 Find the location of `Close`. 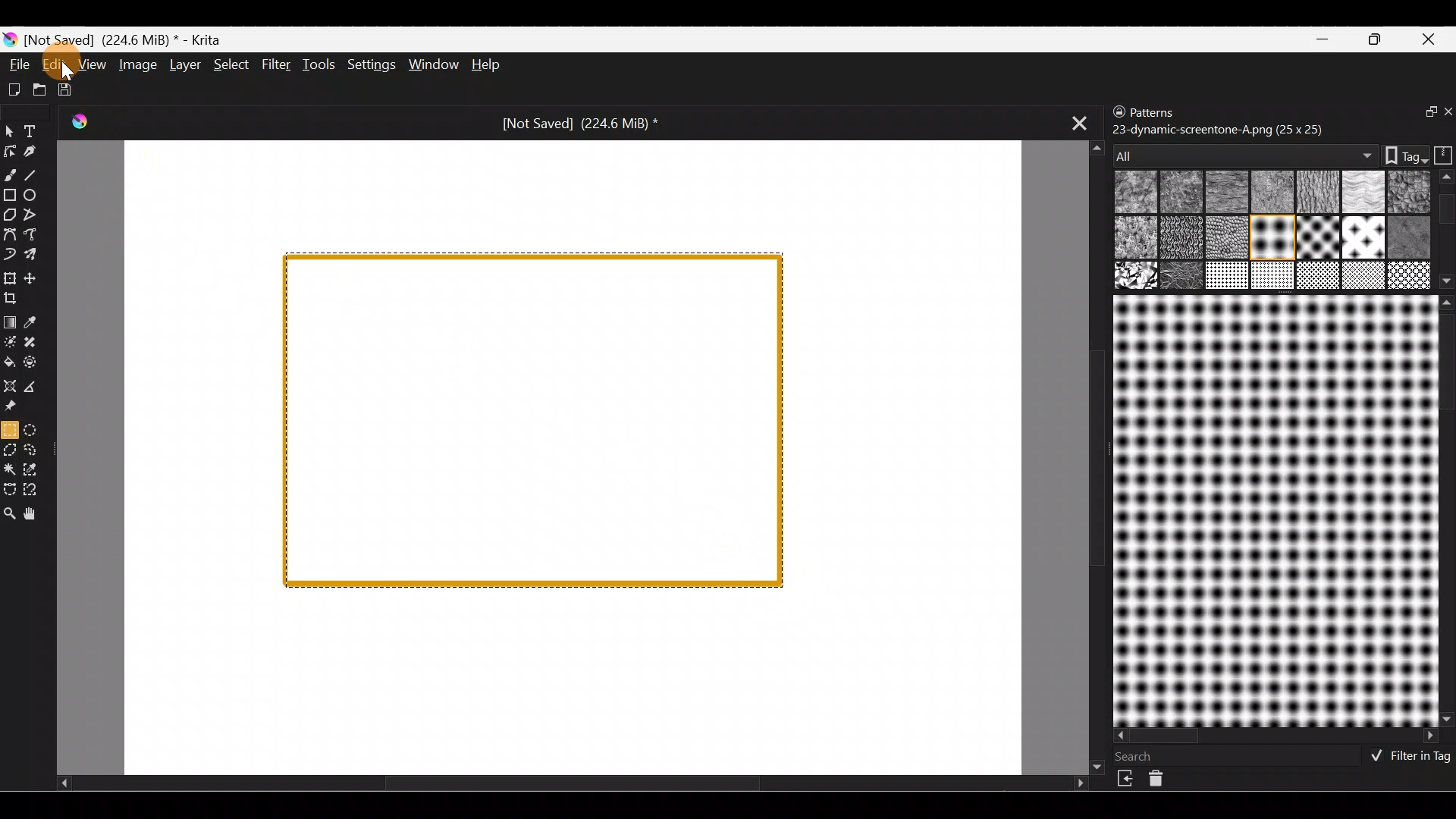

Close is located at coordinates (1432, 38).